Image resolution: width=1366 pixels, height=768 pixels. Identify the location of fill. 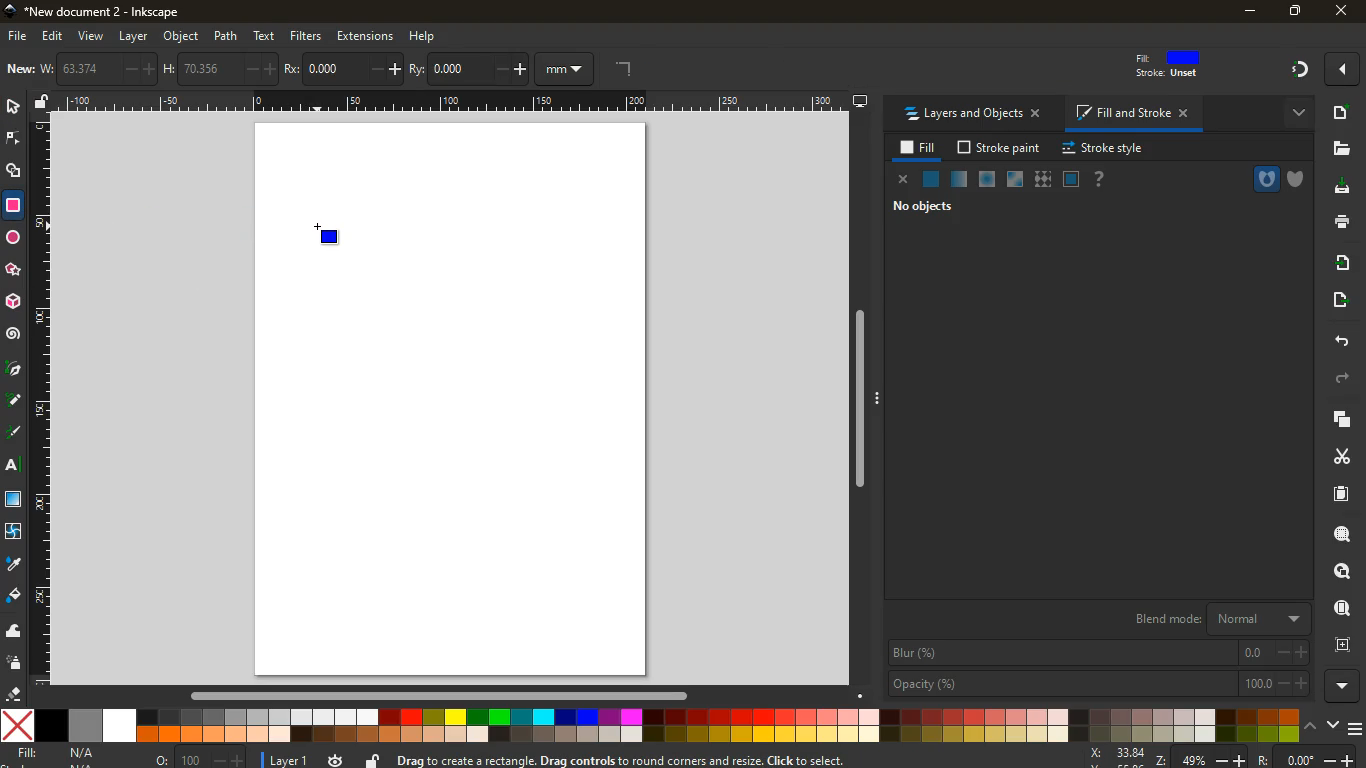
(1169, 64).